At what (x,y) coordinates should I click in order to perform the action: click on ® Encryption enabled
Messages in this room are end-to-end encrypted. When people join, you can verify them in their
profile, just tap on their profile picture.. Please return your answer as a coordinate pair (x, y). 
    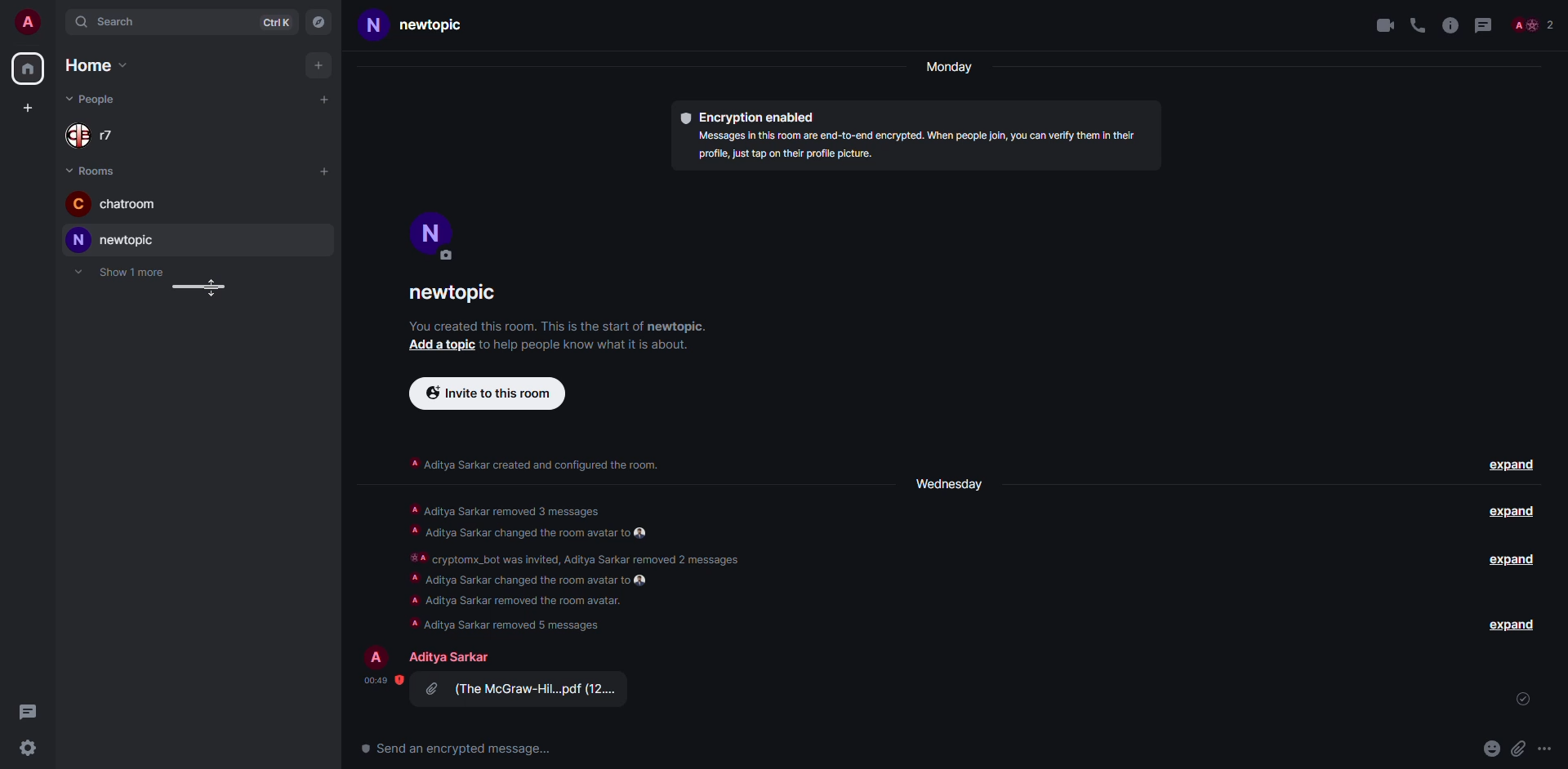
    Looking at the image, I should click on (911, 138).